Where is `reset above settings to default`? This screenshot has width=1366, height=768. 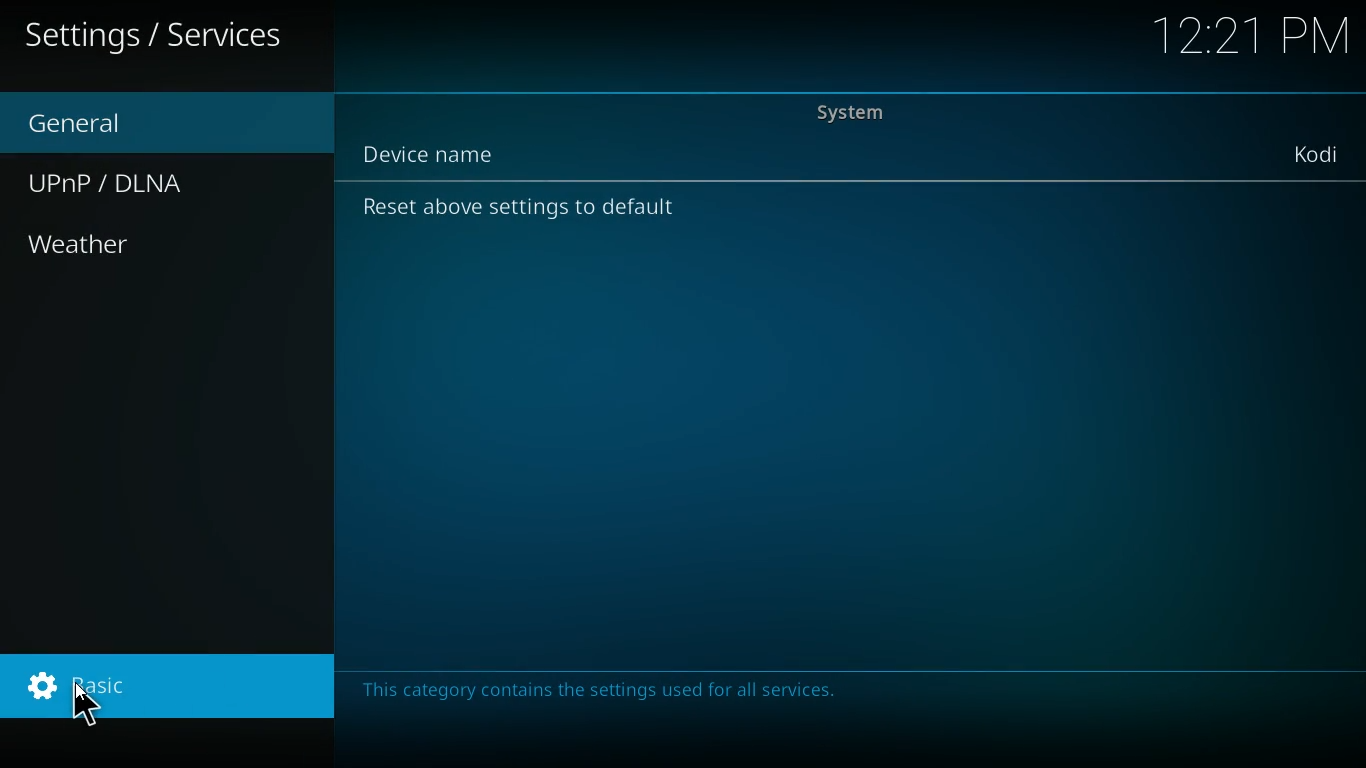
reset above settings to default is located at coordinates (522, 214).